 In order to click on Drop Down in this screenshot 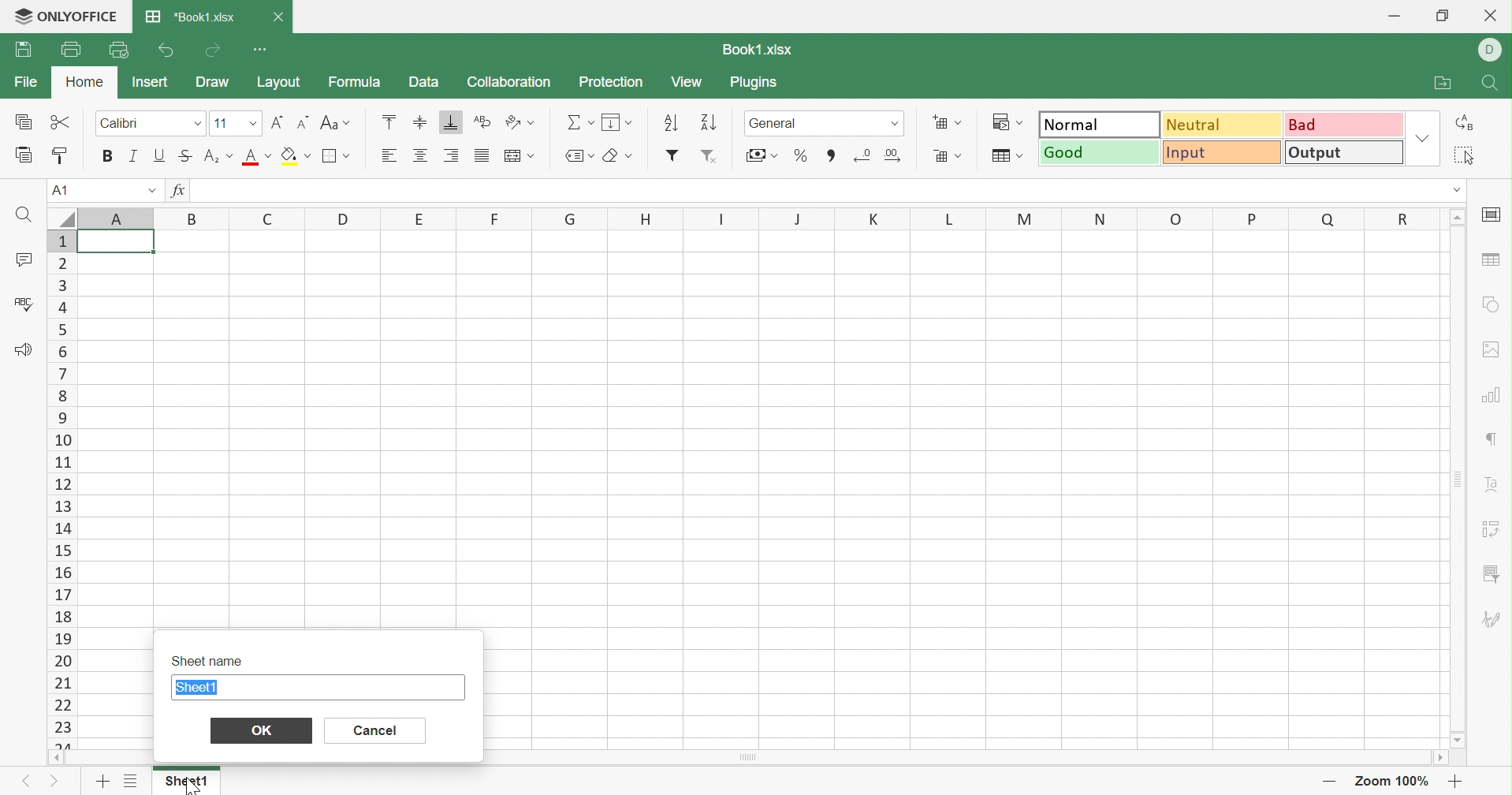, I will do `click(1454, 192)`.